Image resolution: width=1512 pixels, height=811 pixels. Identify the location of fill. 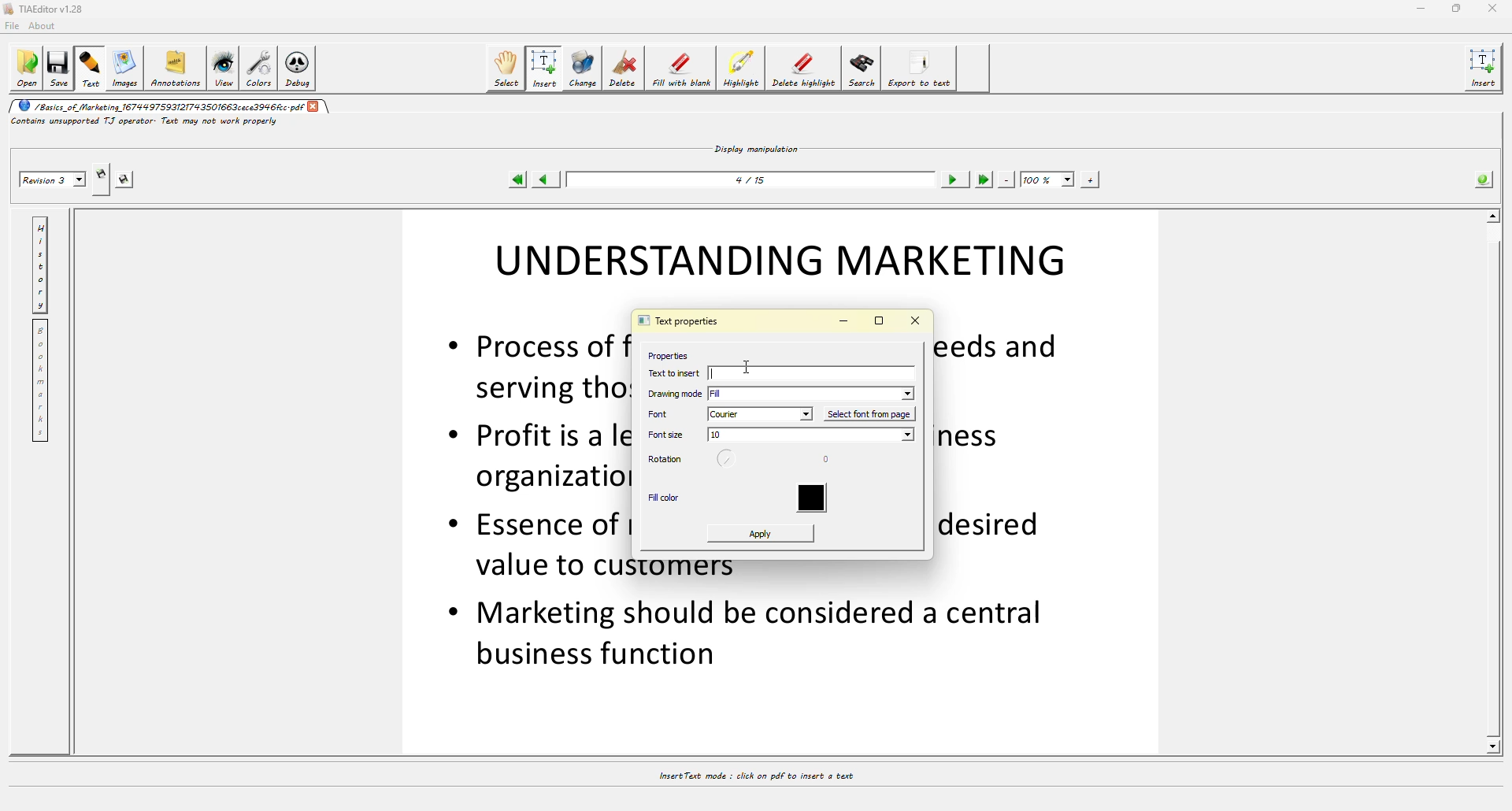
(813, 393).